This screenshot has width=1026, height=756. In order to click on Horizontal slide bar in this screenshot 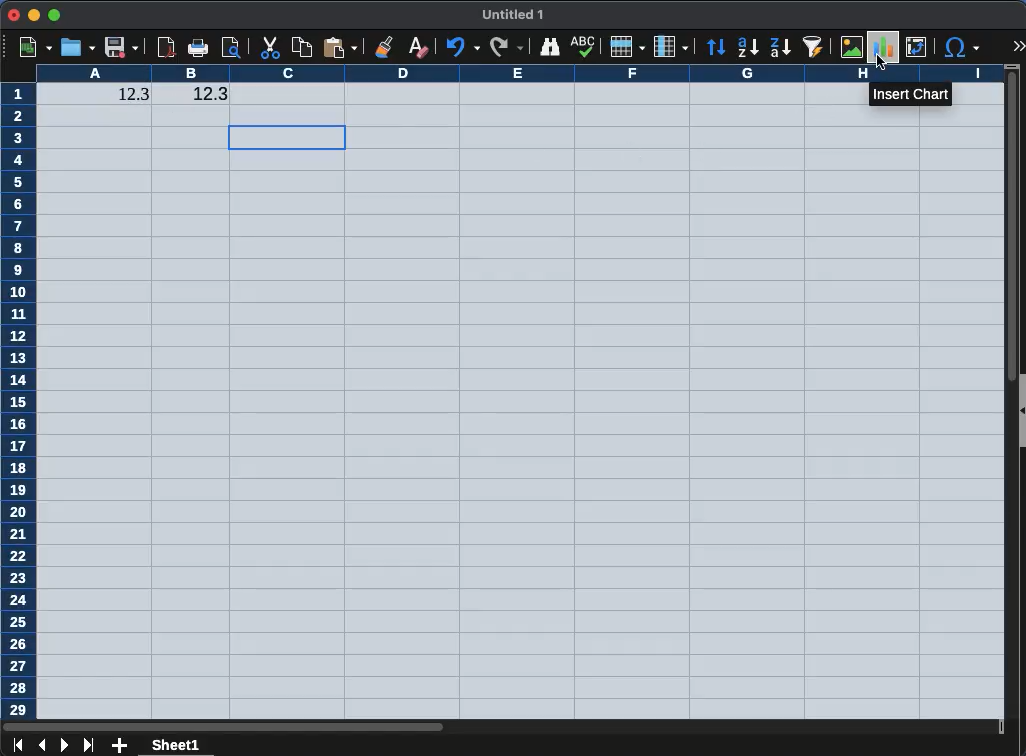, I will do `click(223, 728)`.